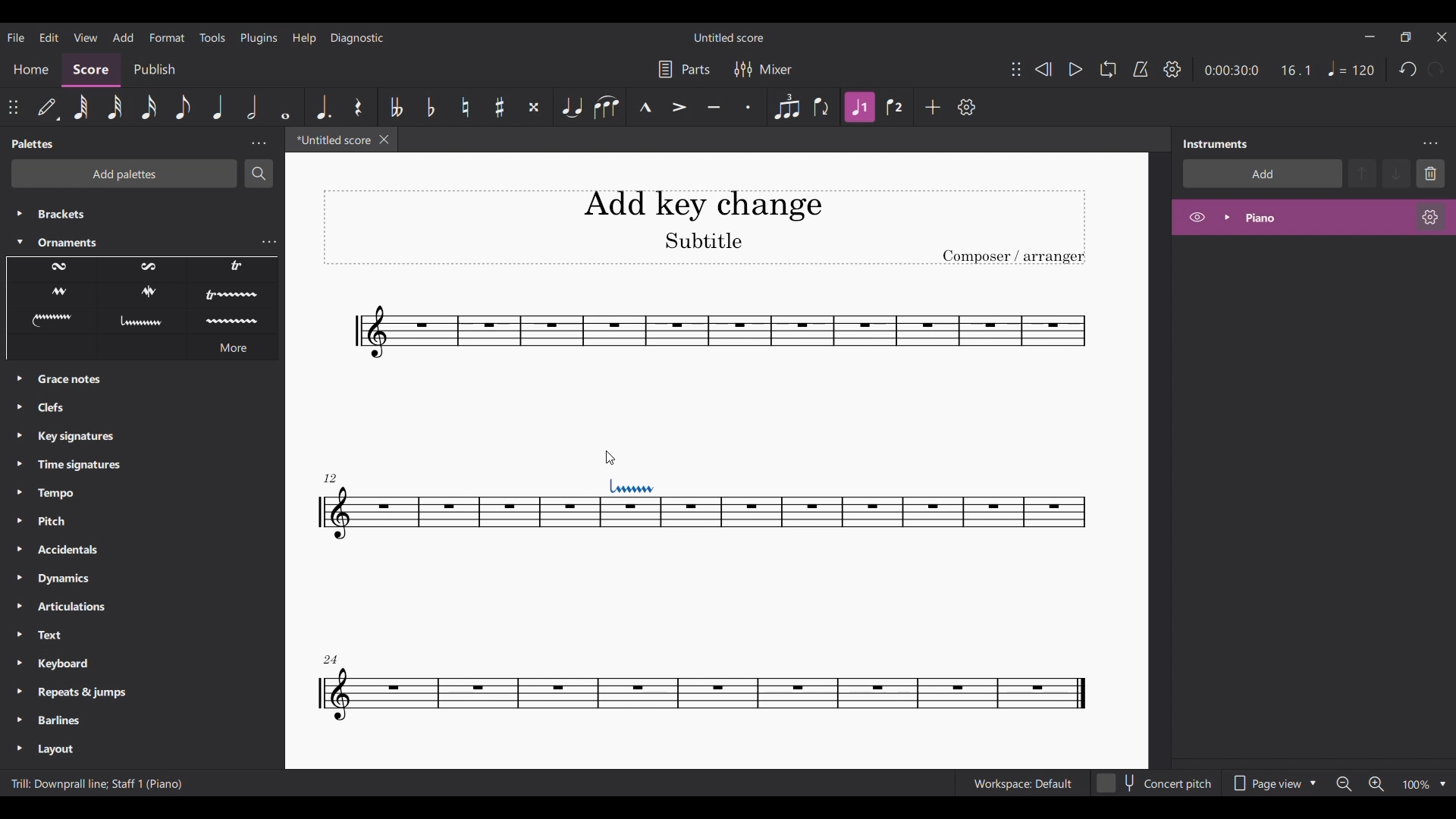 The width and height of the screenshot is (1456, 819). What do you see at coordinates (1408, 70) in the screenshot?
I see `Undo` at bounding box center [1408, 70].